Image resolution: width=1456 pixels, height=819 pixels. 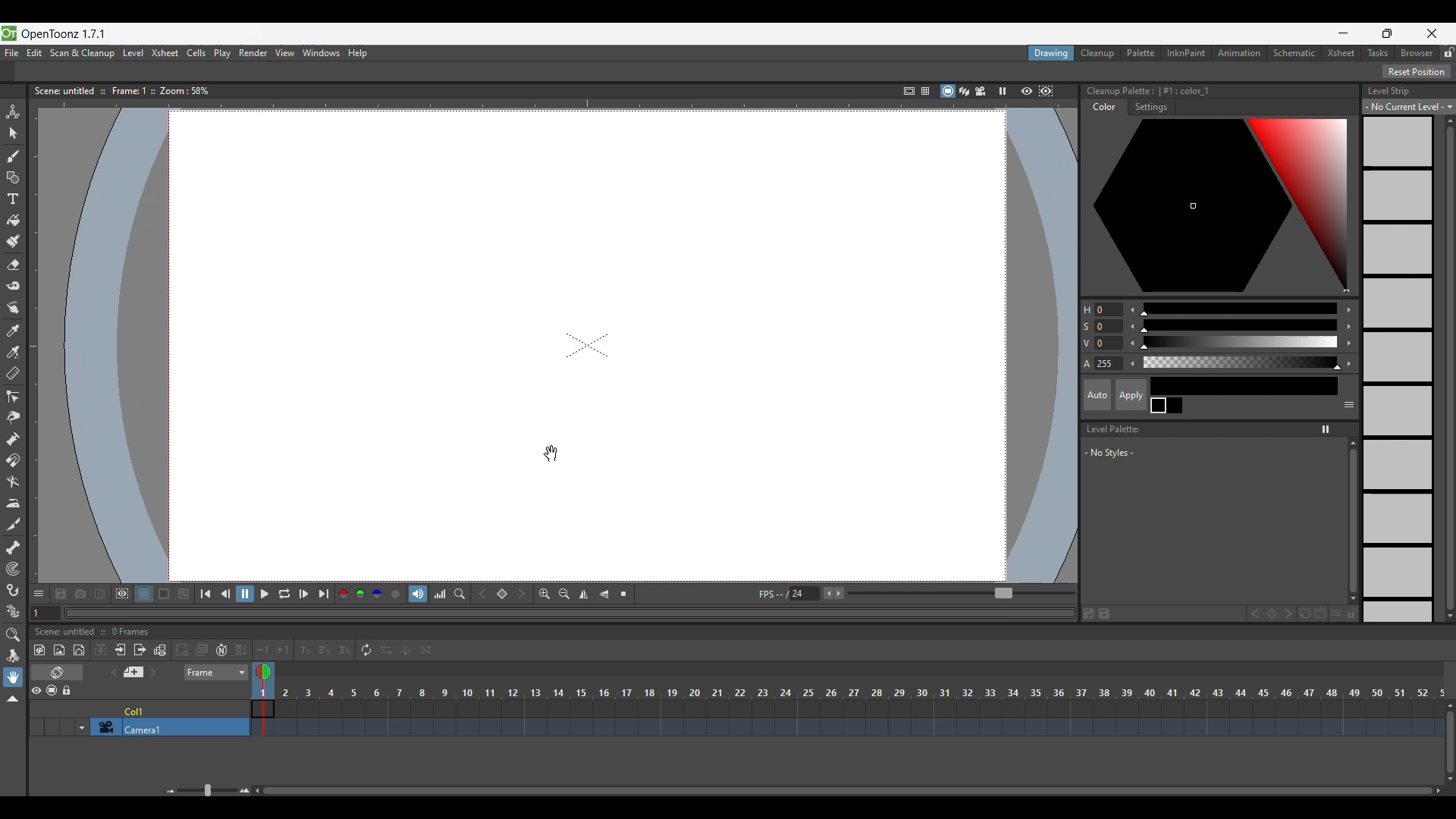 What do you see at coordinates (386, 650) in the screenshot?
I see `Reverse` at bounding box center [386, 650].